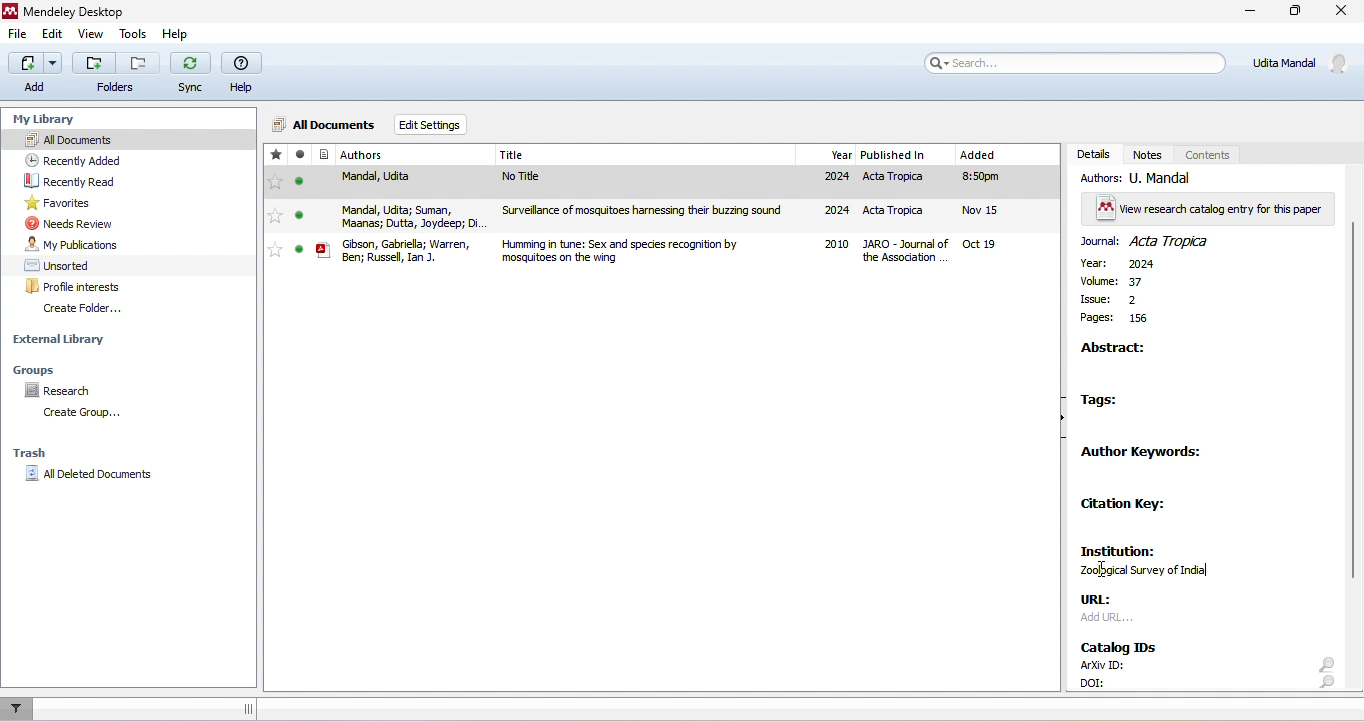 This screenshot has width=1364, height=722. I want to click on remove, so click(140, 63).